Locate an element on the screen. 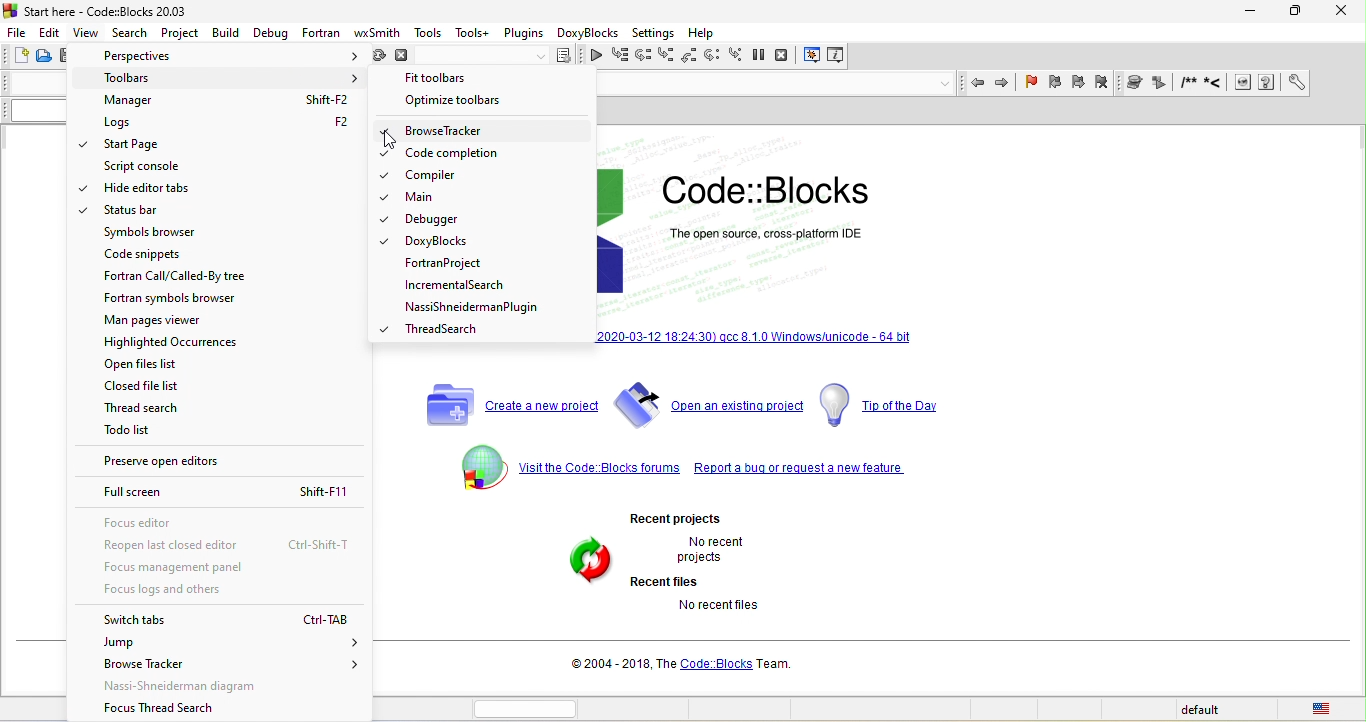 The height and width of the screenshot is (722, 1366). plugins is located at coordinates (524, 31).